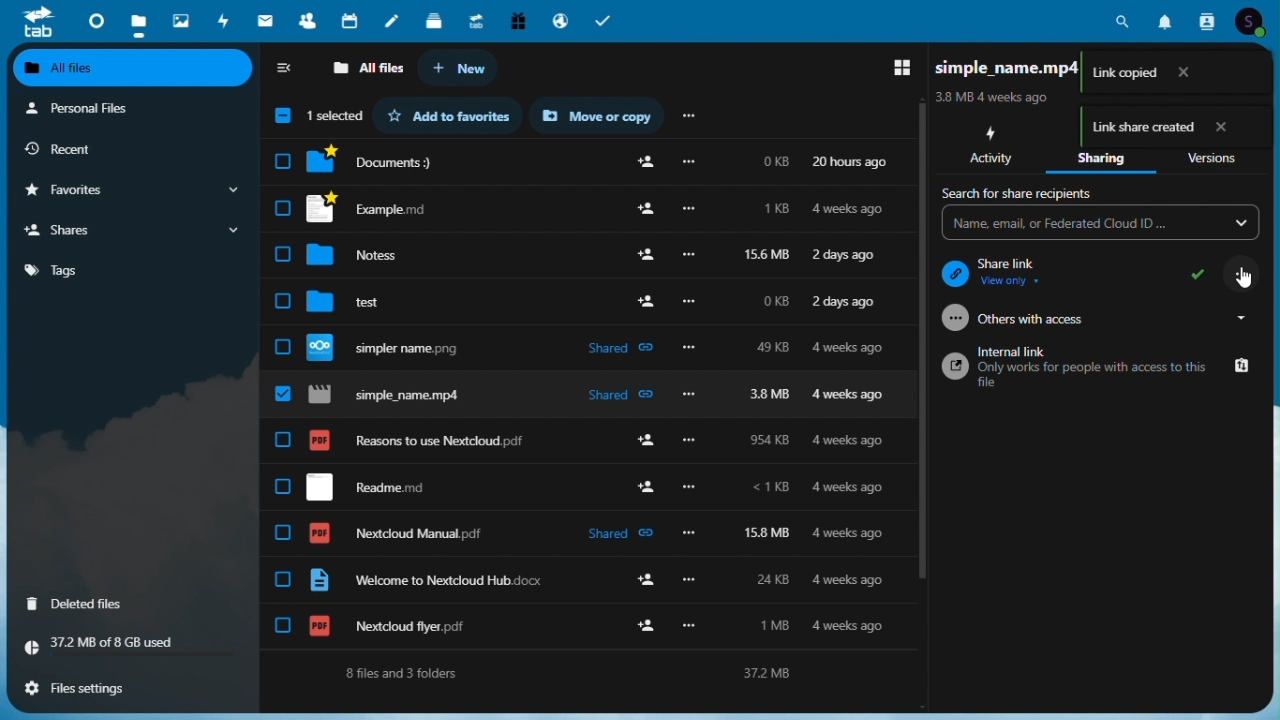  What do you see at coordinates (317, 117) in the screenshot?
I see `1 selected` at bounding box center [317, 117].